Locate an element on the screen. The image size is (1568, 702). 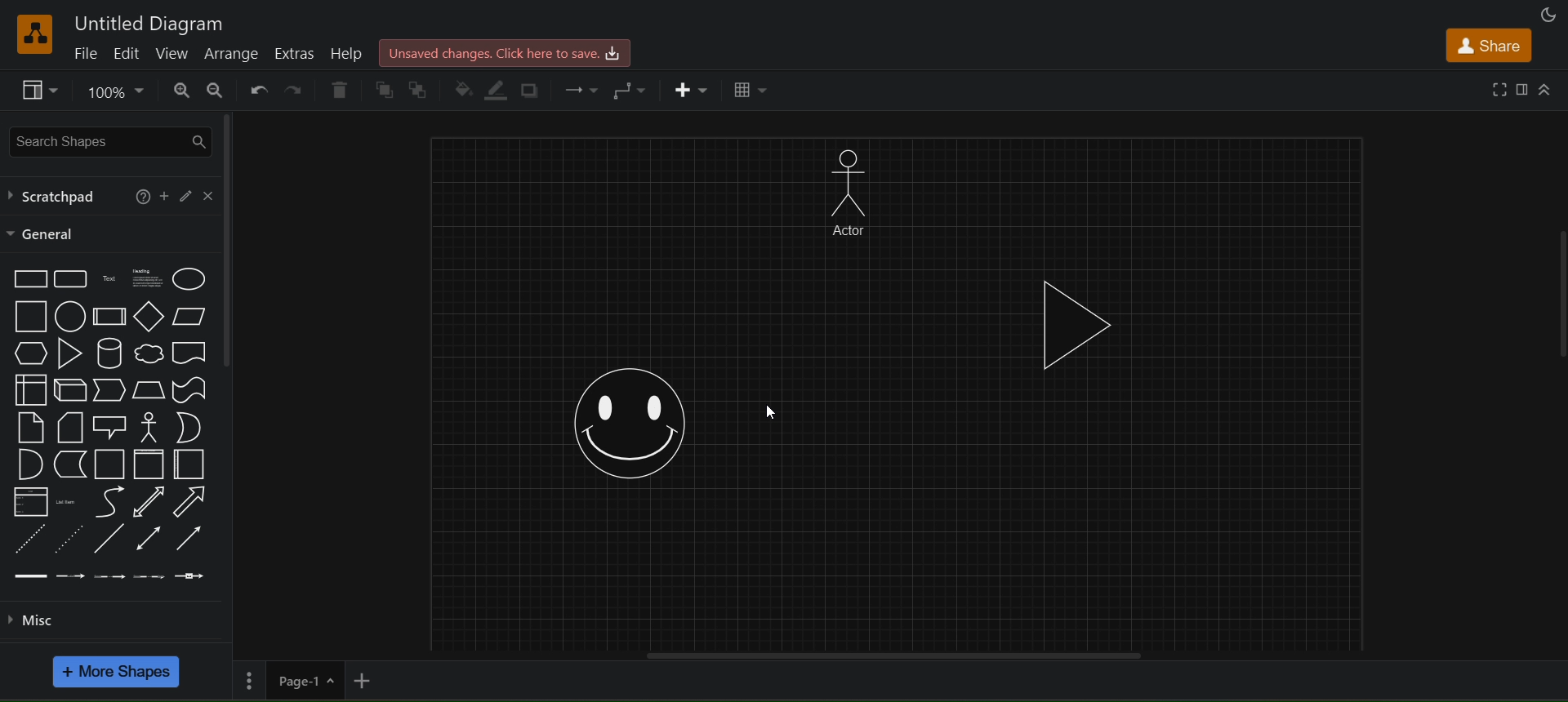
help is located at coordinates (140, 194).